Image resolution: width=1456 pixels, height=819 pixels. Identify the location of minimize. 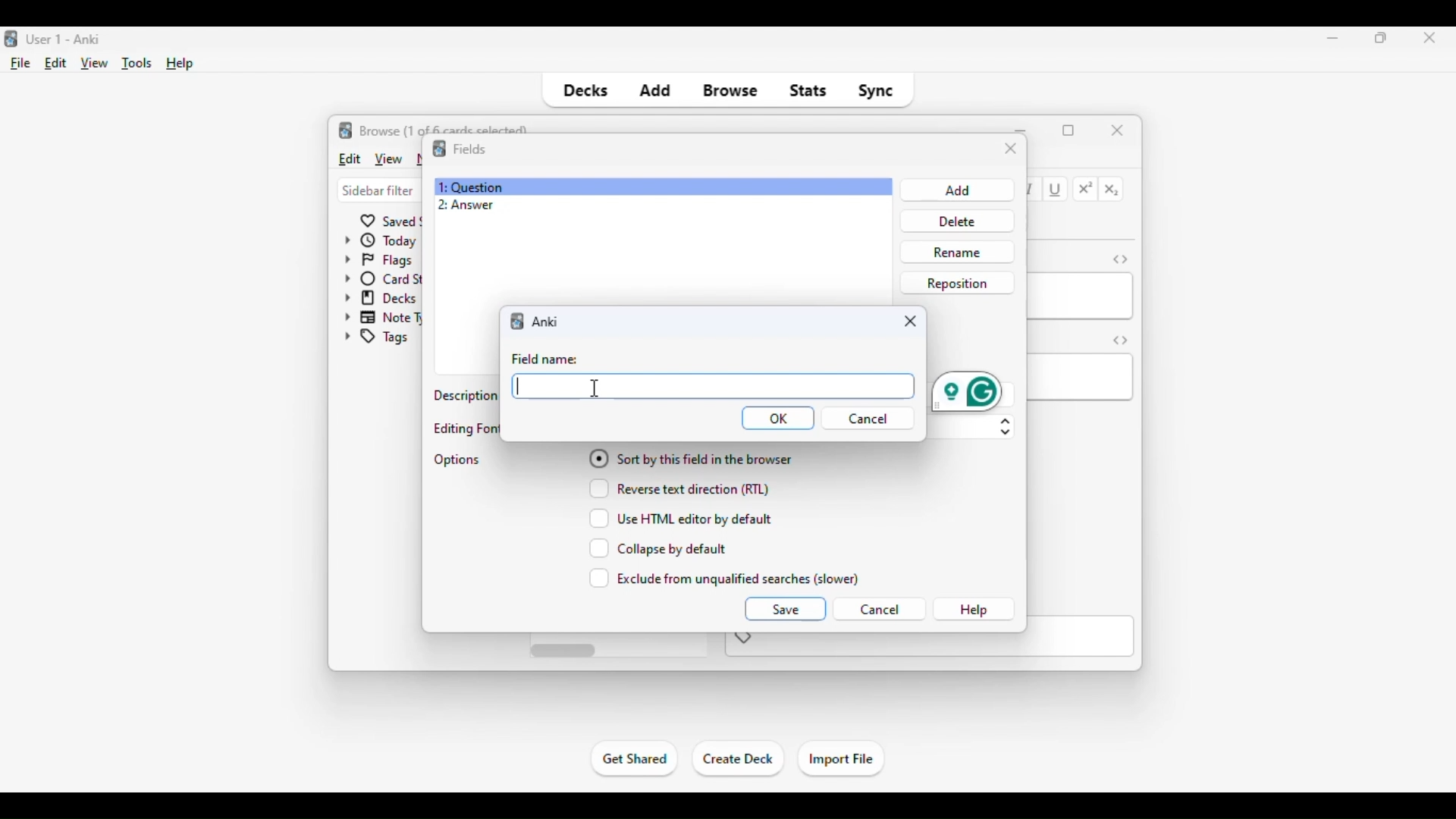
(1022, 129).